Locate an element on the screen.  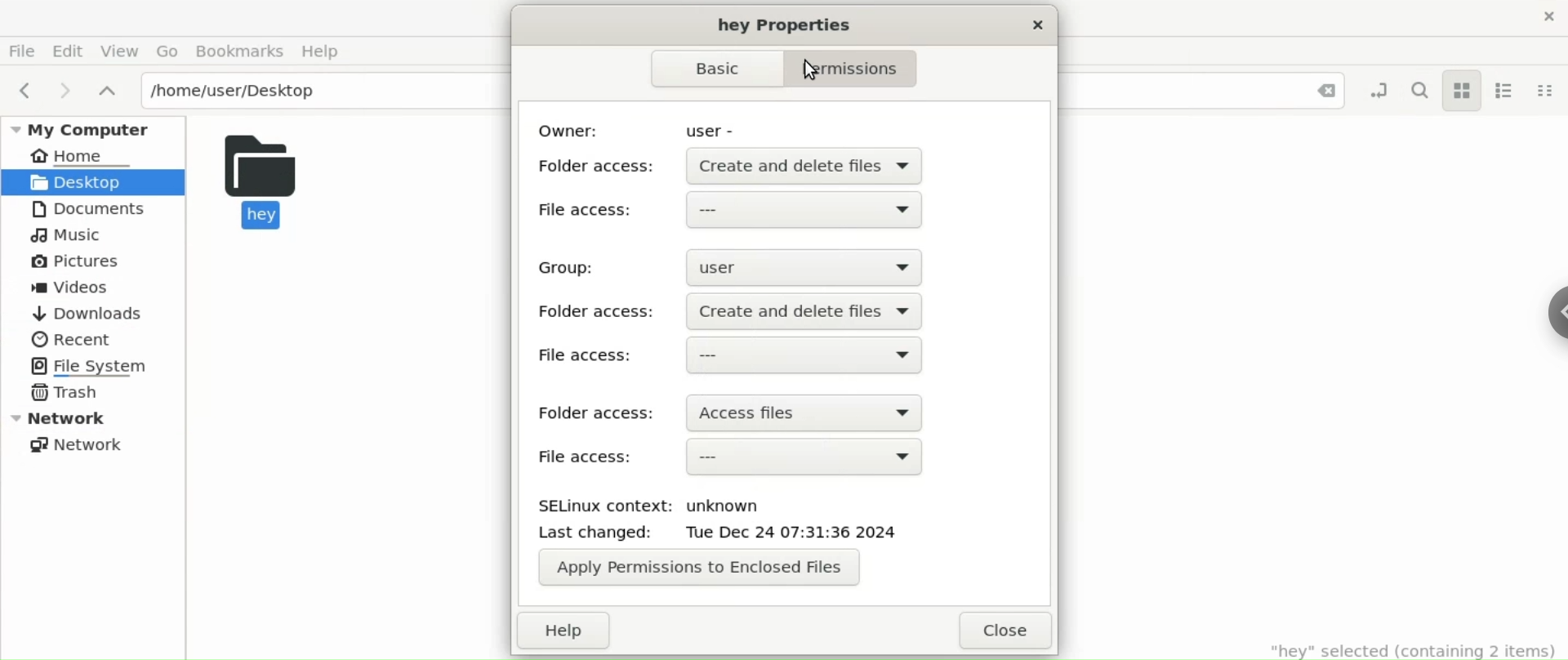
parent folders is located at coordinates (109, 90).